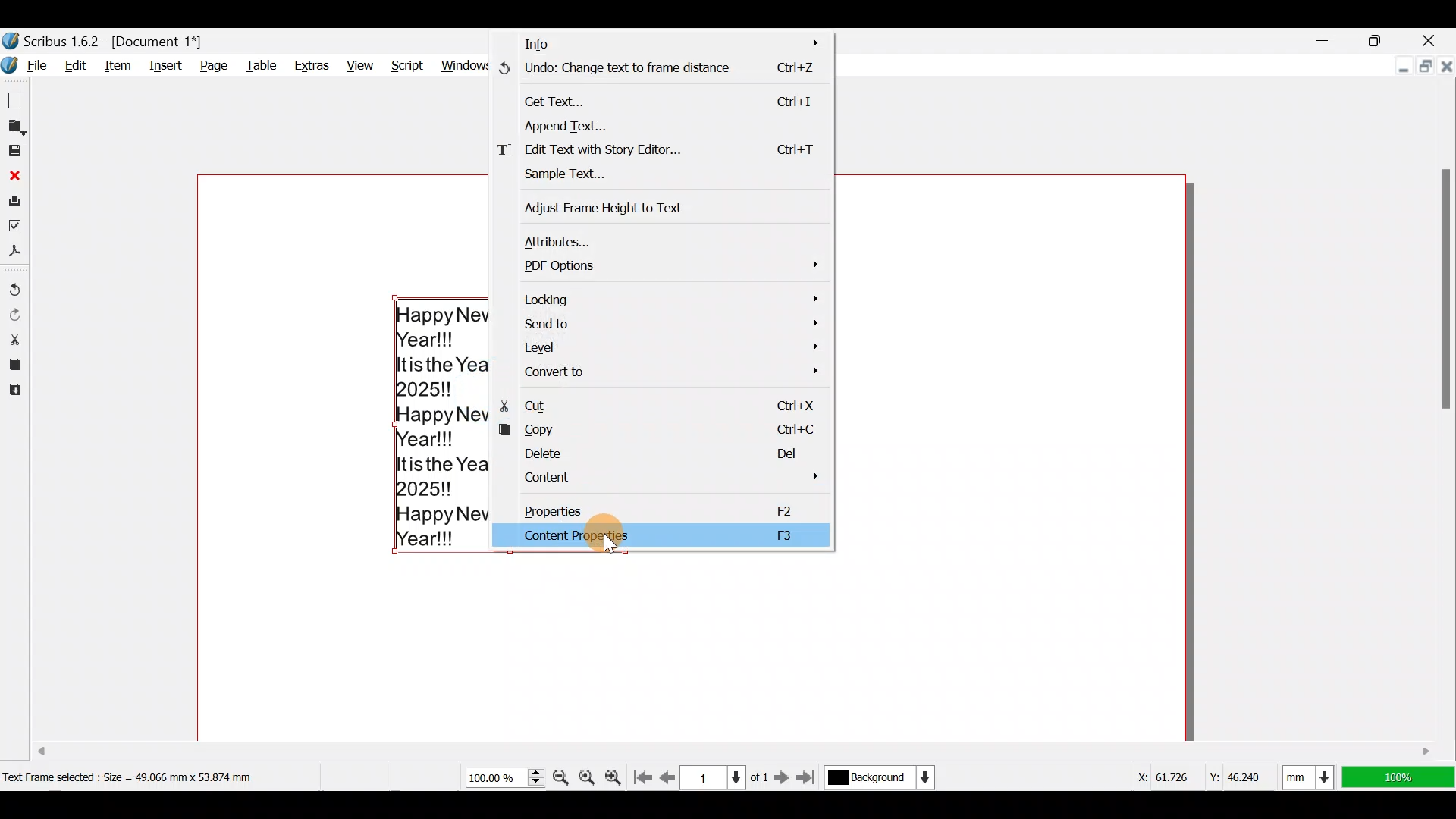 The width and height of the screenshot is (1456, 819). What do you see at coordinates (664, 535) in the screenshot?
I see `Content properties` at bounding box center [664, 535].